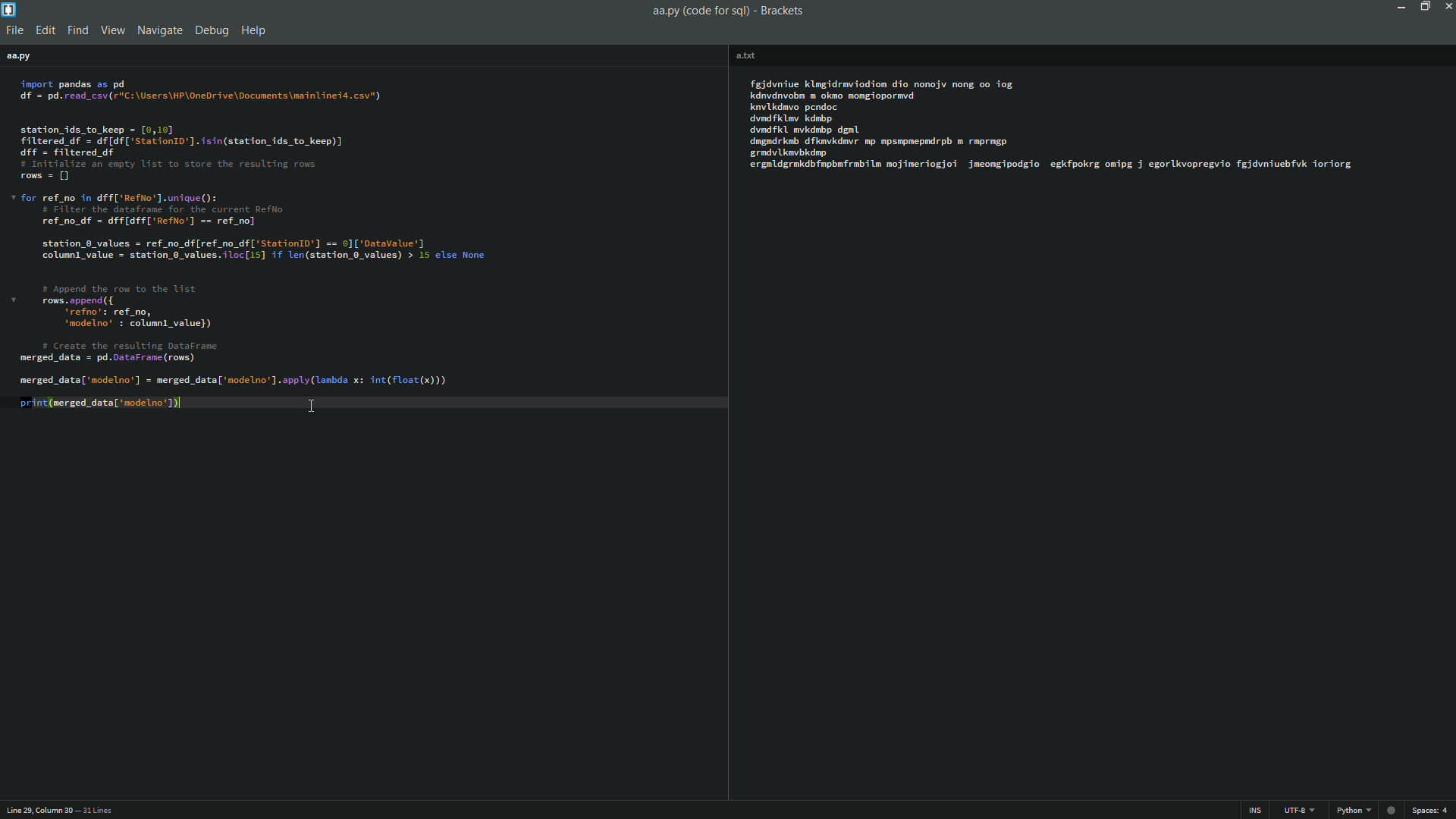 This screenshot has height=819, width=1456. What do you see at coordinates (1254, 808) in the screenshot?
I see `ins` at bounding box center [1254, 808].